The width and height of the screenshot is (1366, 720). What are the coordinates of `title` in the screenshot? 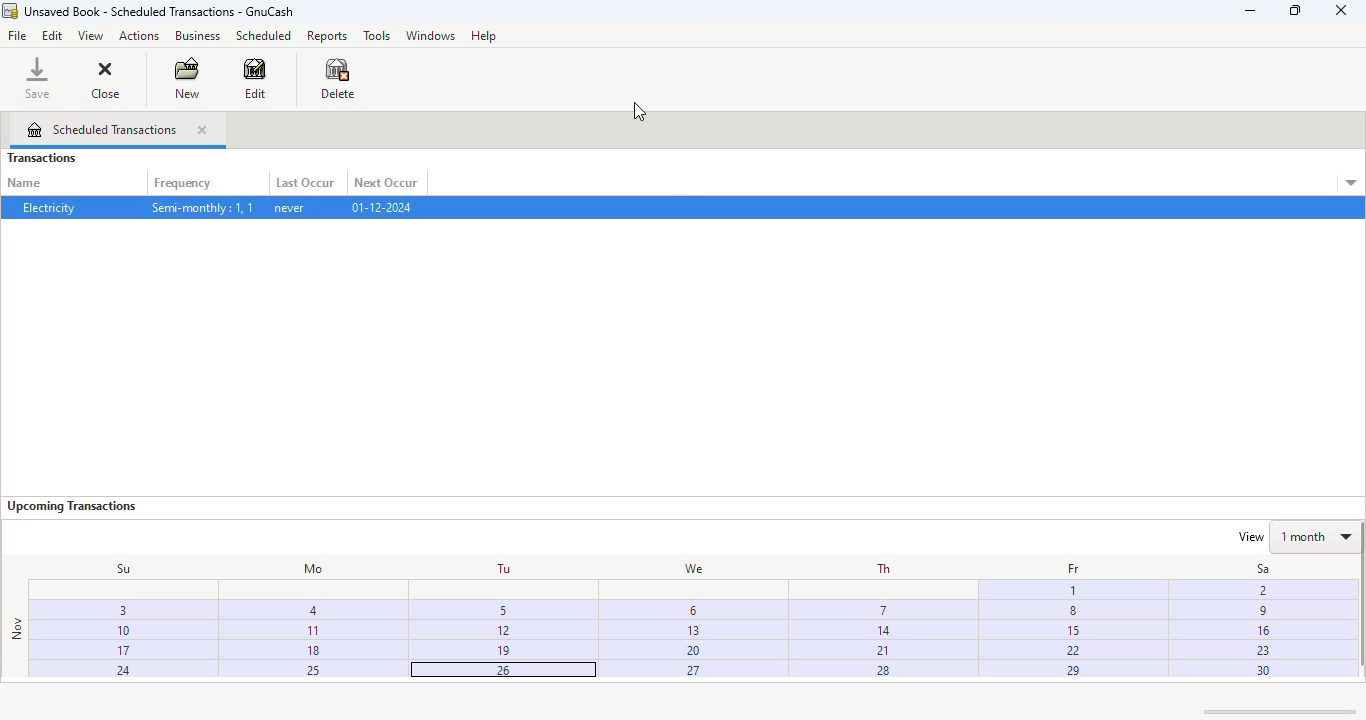 It's located at (160, 11).